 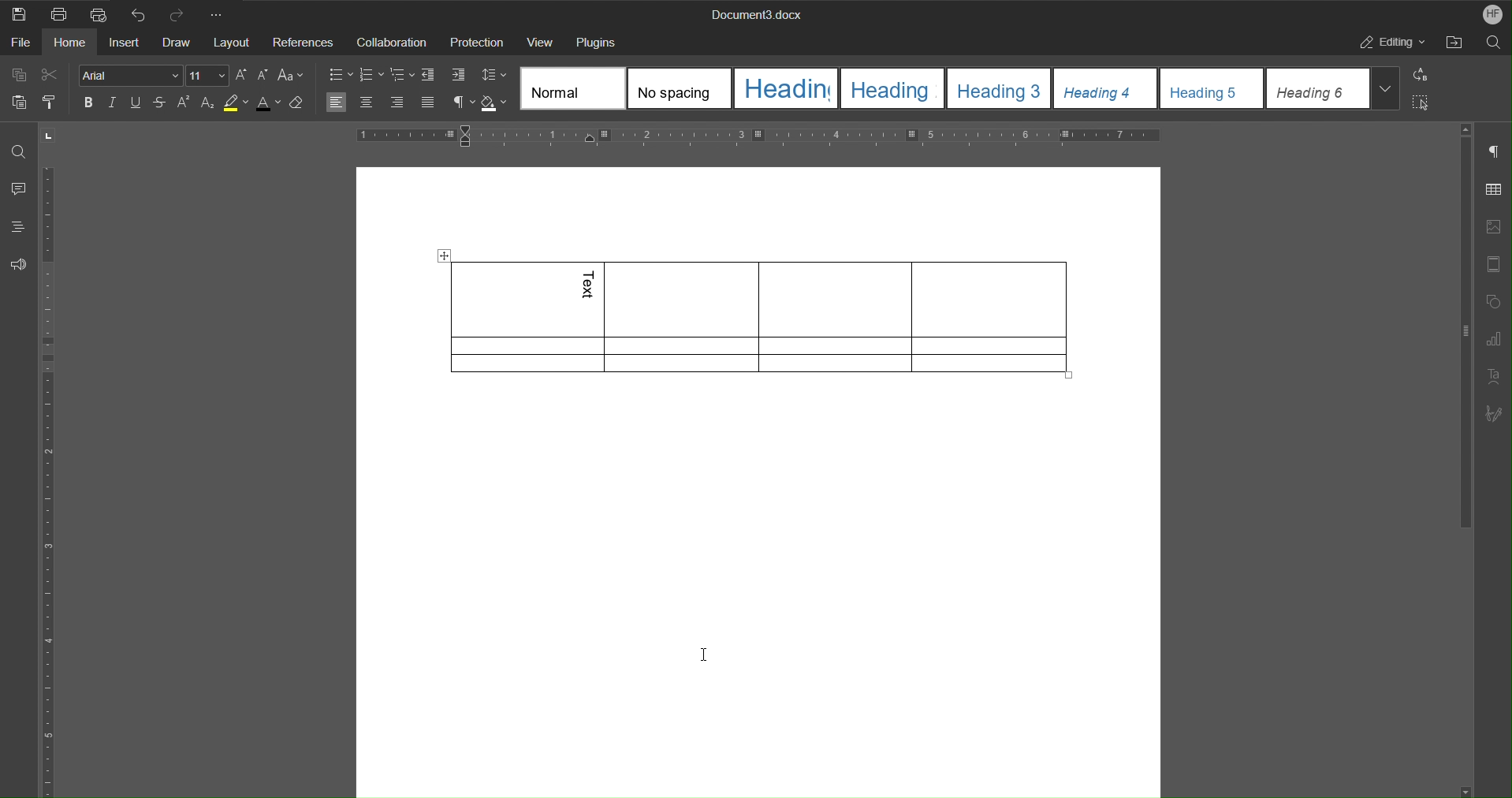 I want to click on Subscript, so click(x=207, y=102).